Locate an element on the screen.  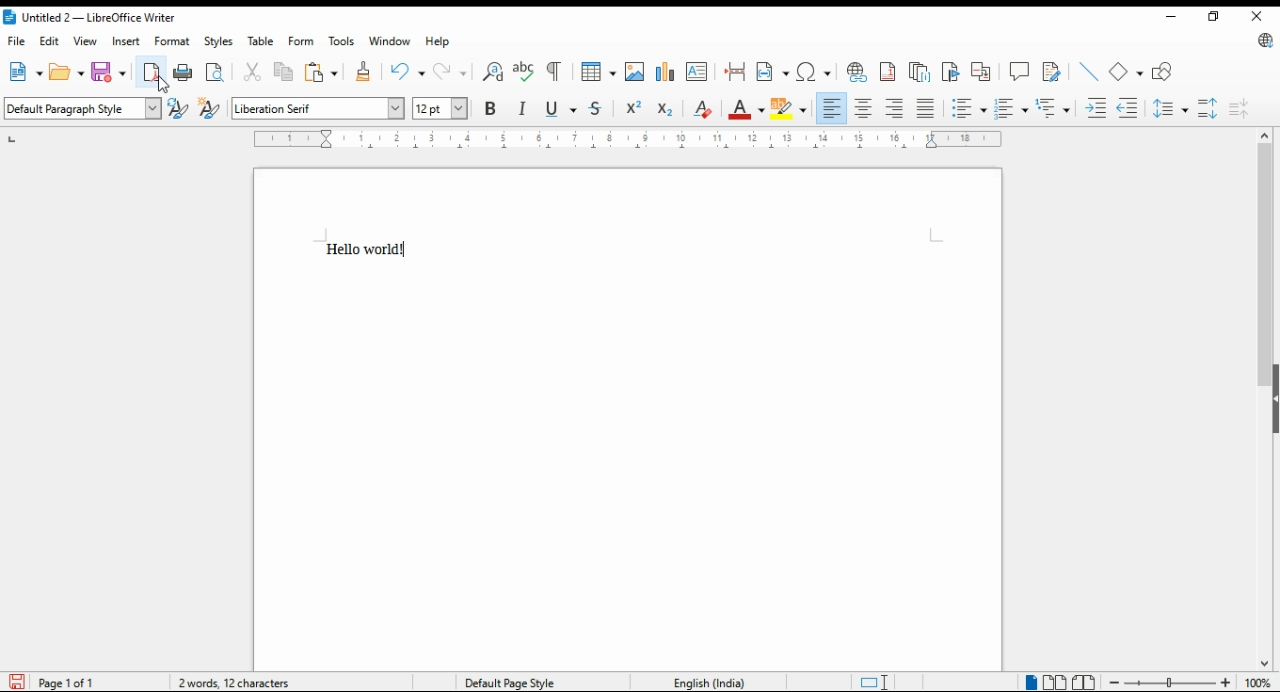
redo is located at coordinates (448, 72).